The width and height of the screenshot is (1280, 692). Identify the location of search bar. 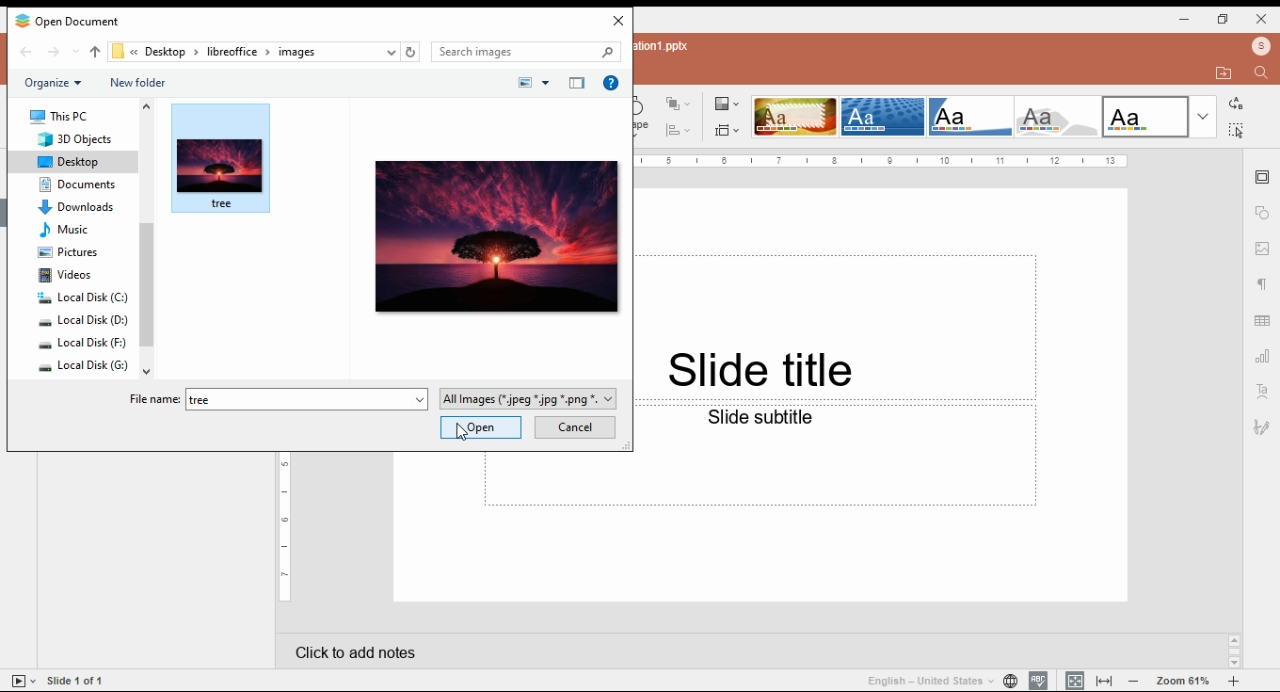
(526, 52).